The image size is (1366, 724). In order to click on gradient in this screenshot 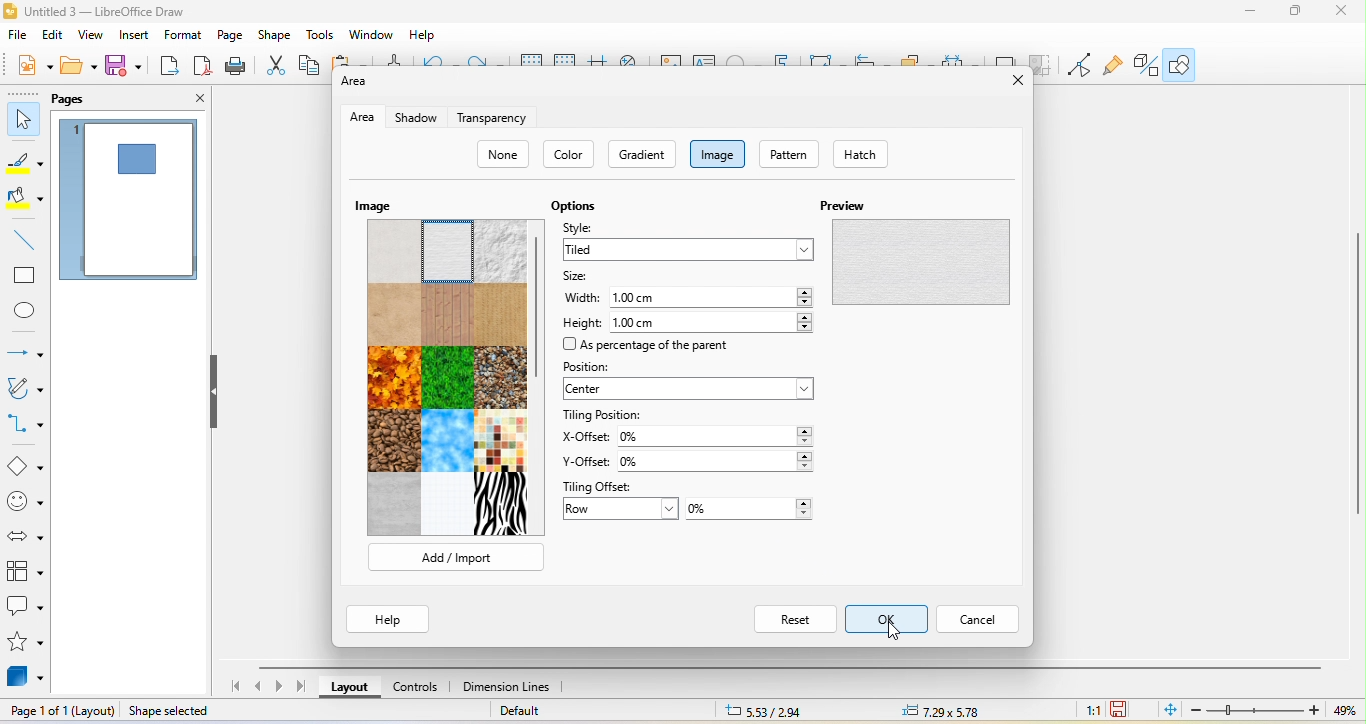, I will do `click(646, 156)`.